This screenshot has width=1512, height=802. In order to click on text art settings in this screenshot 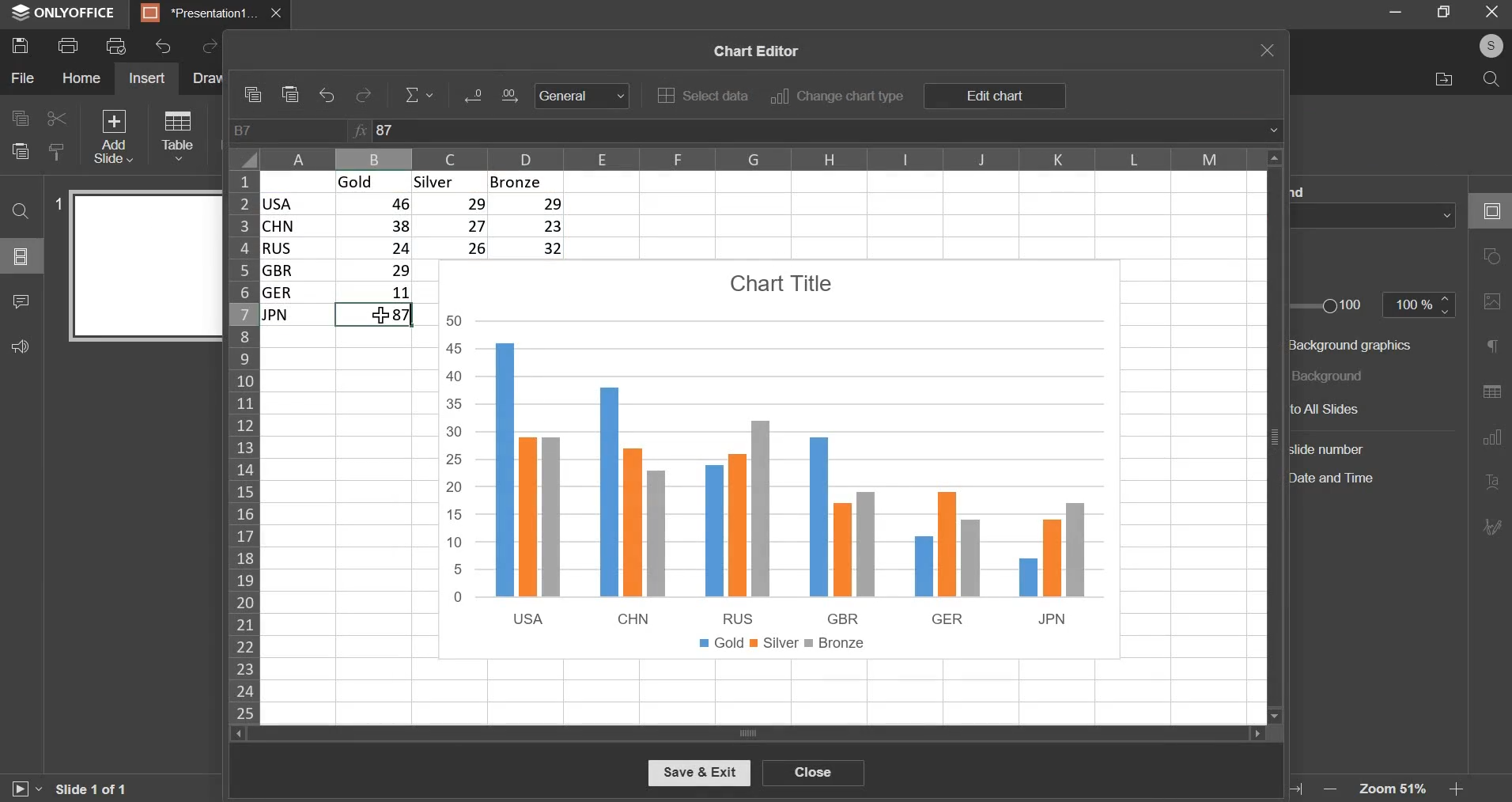, I will do `click(1490, 483)`.